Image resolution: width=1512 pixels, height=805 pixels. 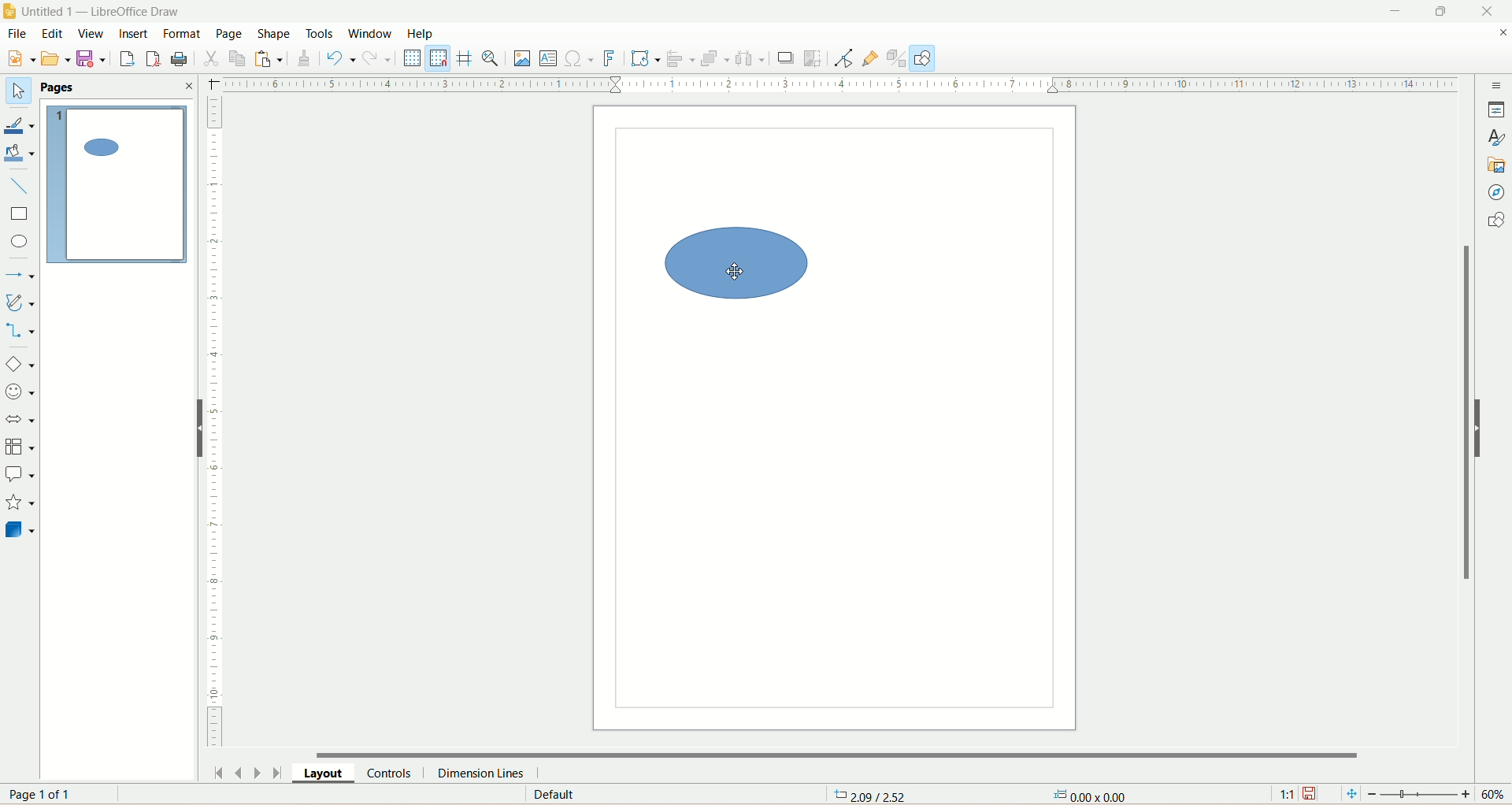 I want to click on cursor, so click(x=736, y=274).